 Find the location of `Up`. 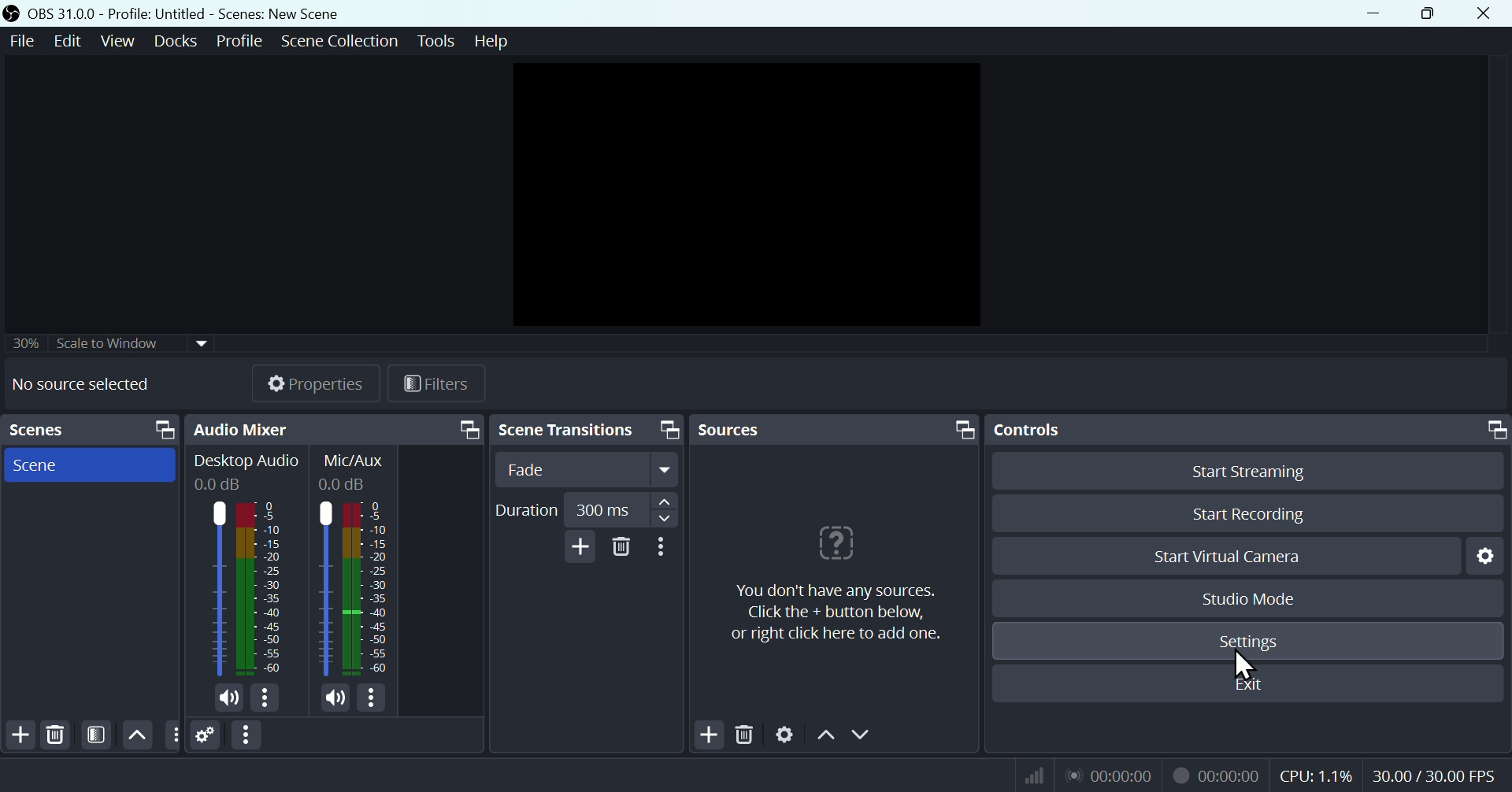

Up is located at coordinates (822, 736).